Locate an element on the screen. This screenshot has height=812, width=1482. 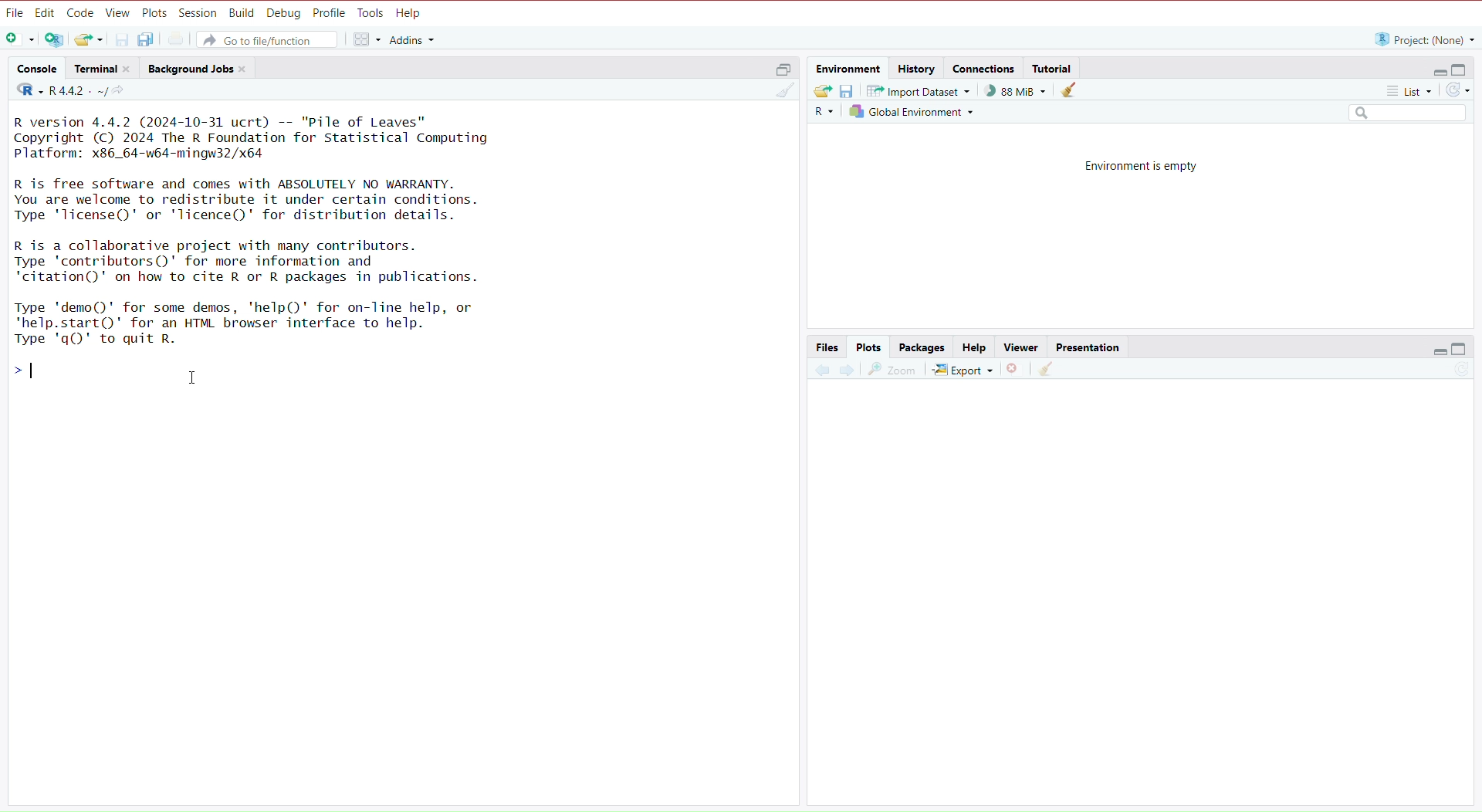
Clear is located at coordinates (1069, 90).